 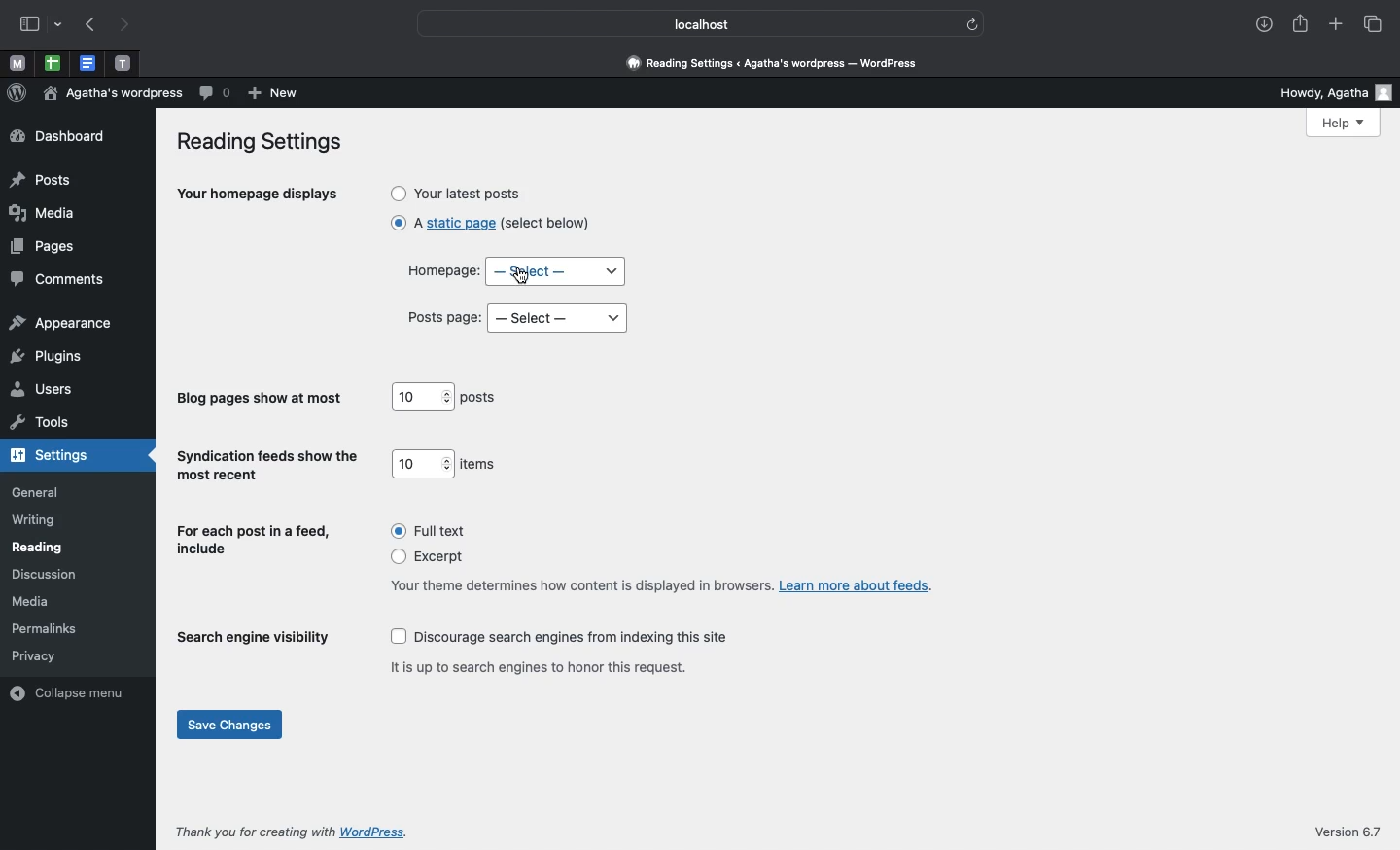 What do you see at coordinates (422, 397) in the screenshot?
I see `10` at bounding box center [422, 397].